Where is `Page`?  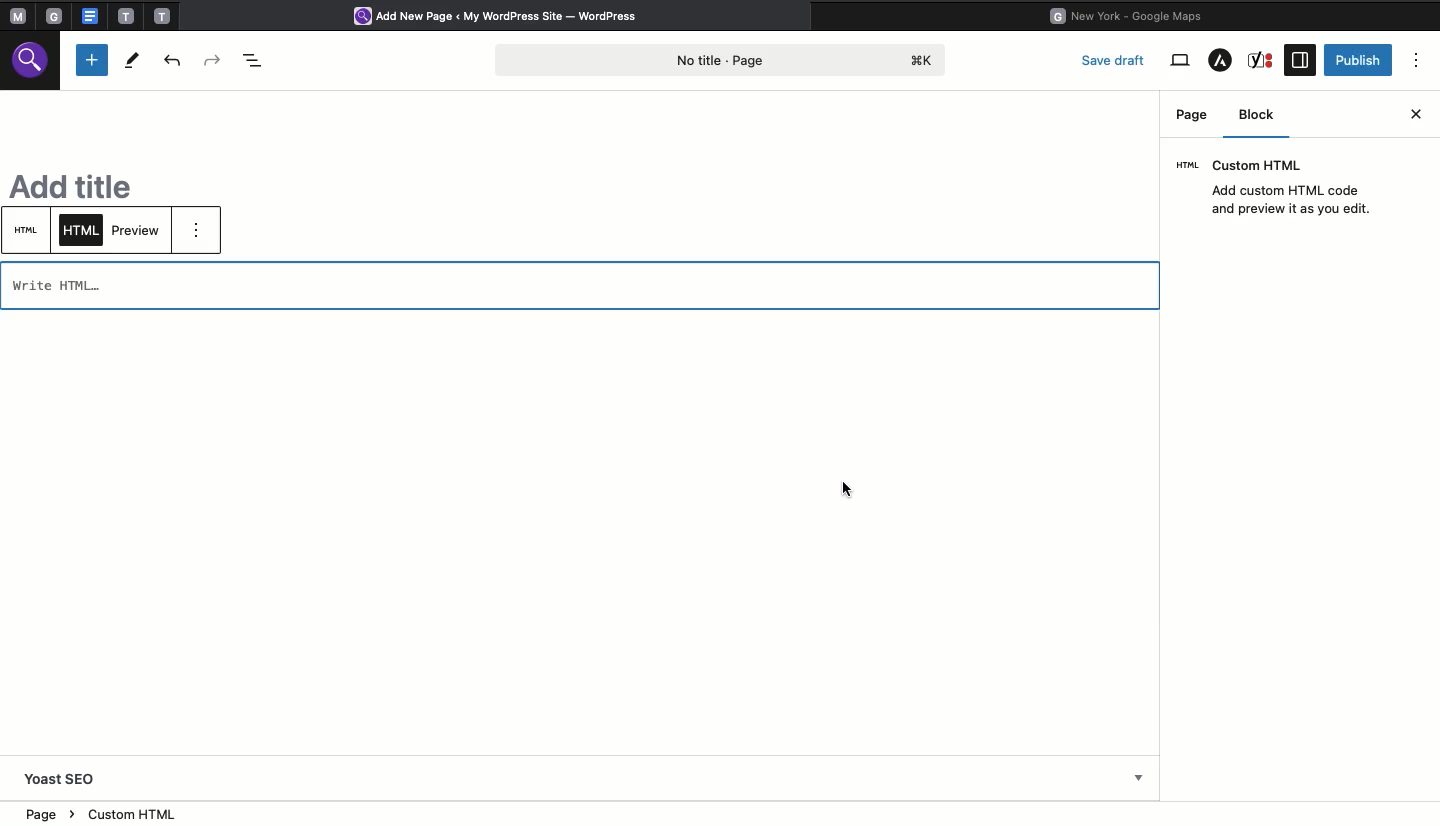 Page is located at coordinates (725, 58).